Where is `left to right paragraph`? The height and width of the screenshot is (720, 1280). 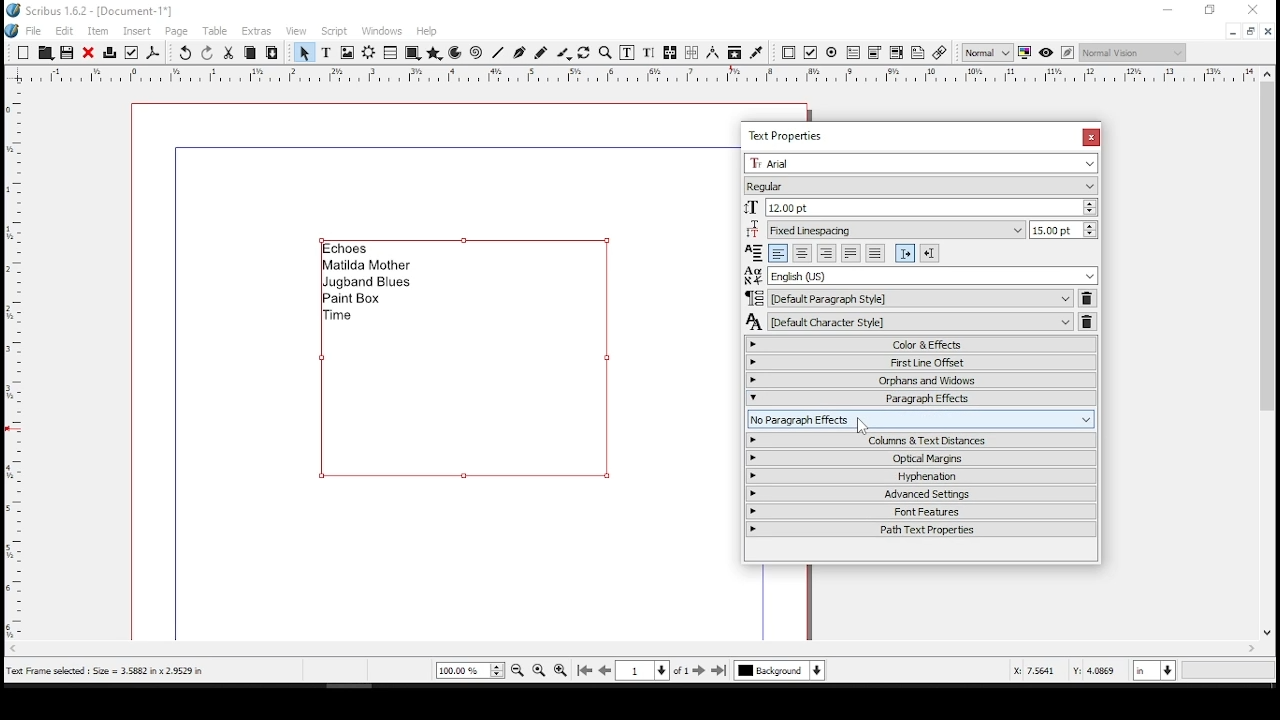 left to right paragraph is located at coordinates (906, 253).